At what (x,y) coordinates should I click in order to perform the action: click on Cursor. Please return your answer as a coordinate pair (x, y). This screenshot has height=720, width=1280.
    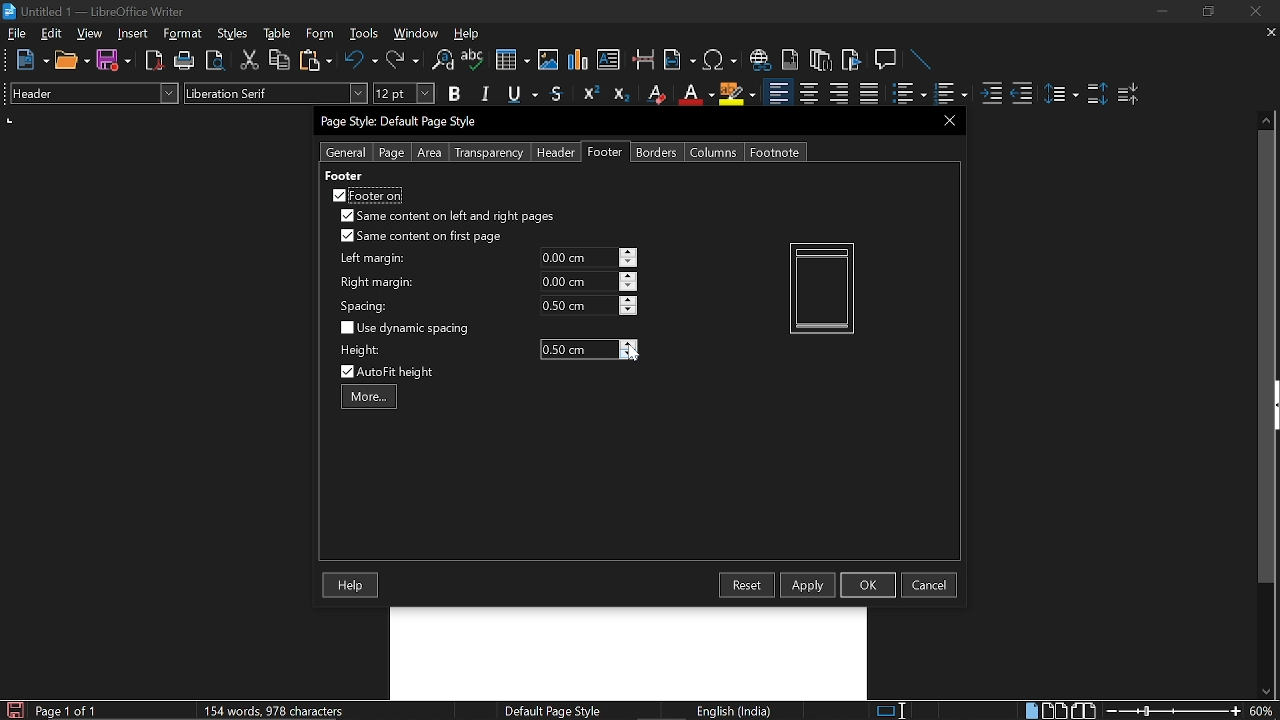
    Looking at the image, I should click on (633, 353).